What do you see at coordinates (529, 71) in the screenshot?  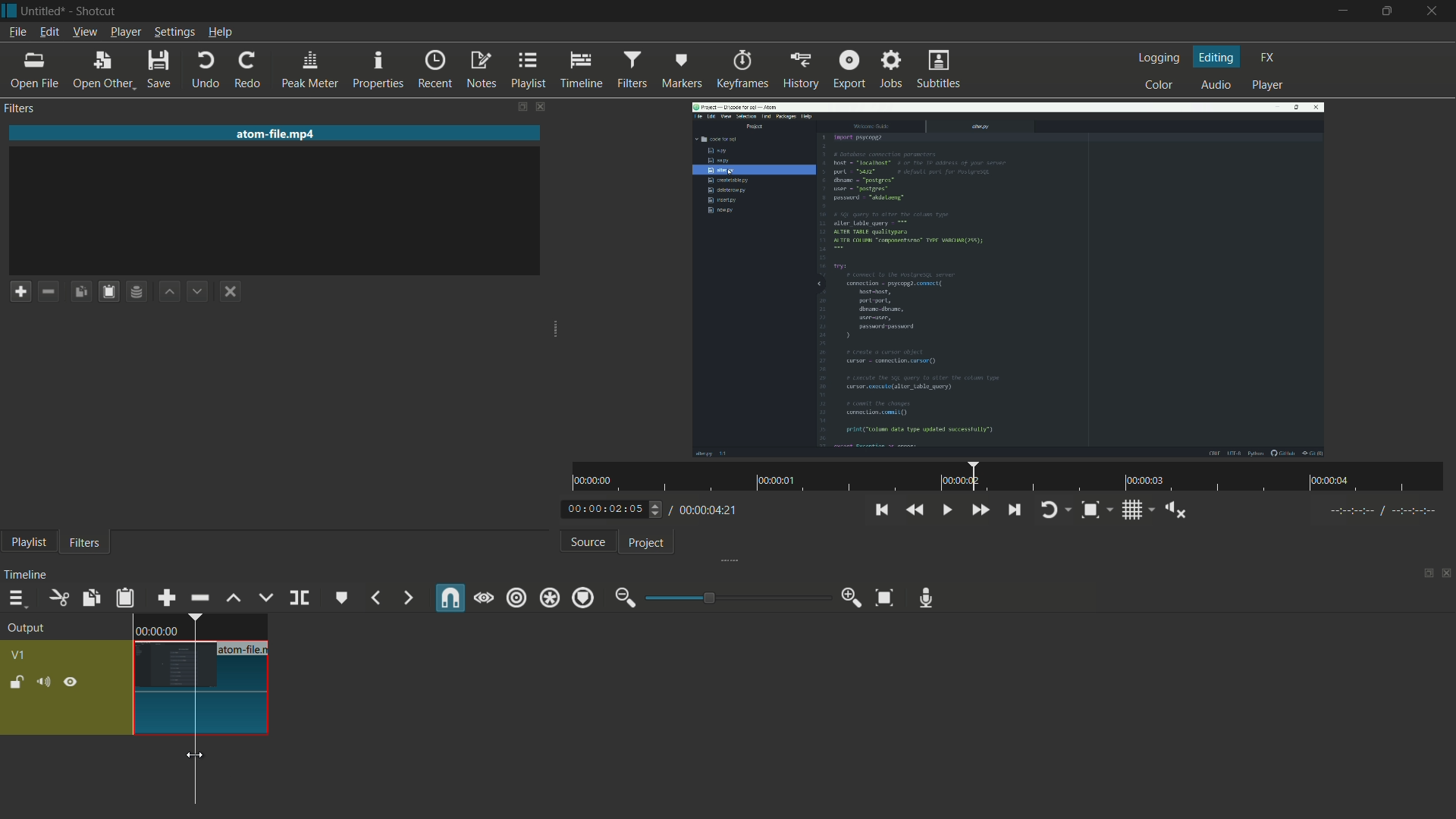 I see `playlist` at bounding box center [529, 71].